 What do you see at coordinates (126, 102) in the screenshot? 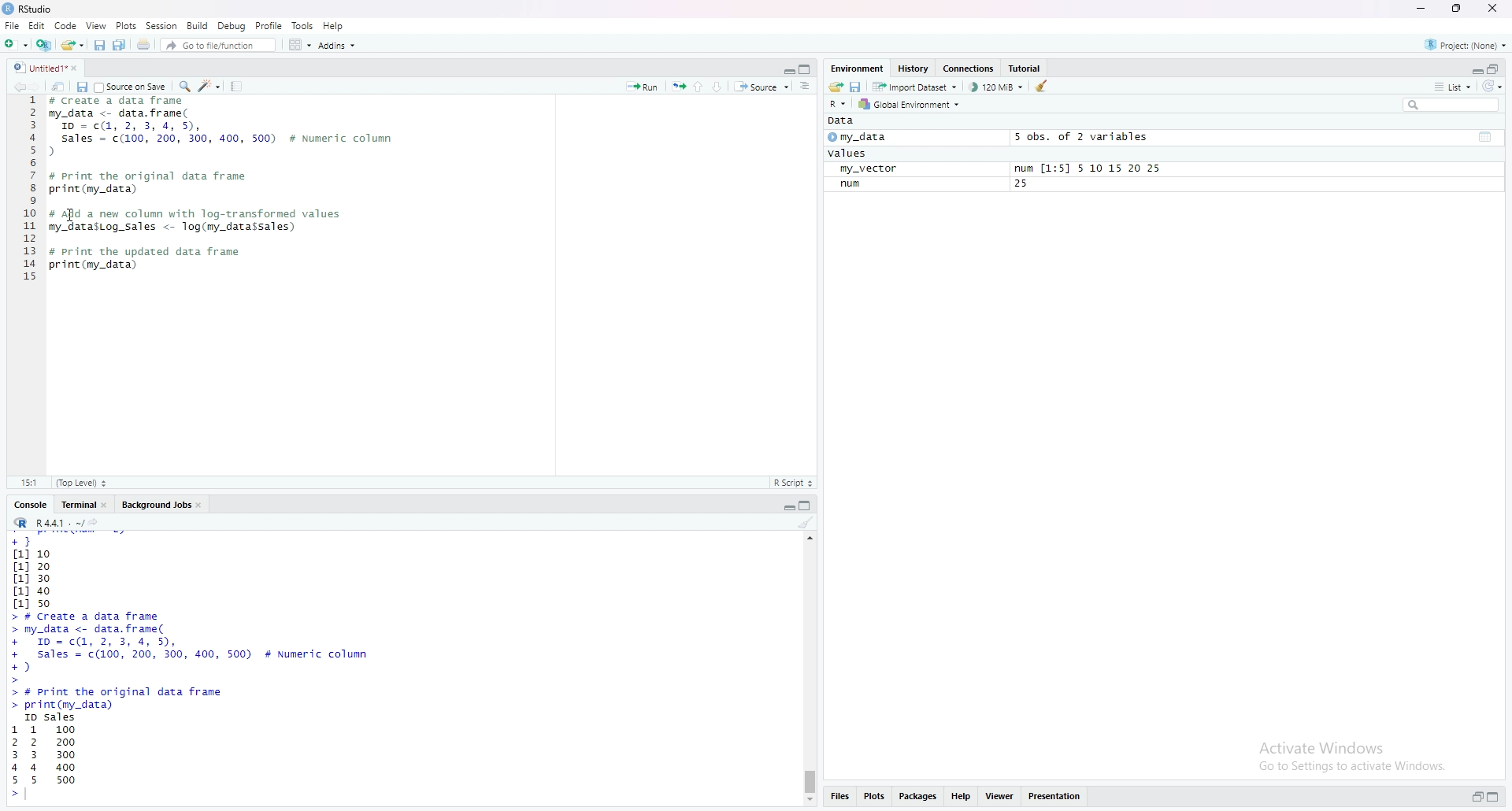
I see `# create a data frame` at bounding box center [126, 102].